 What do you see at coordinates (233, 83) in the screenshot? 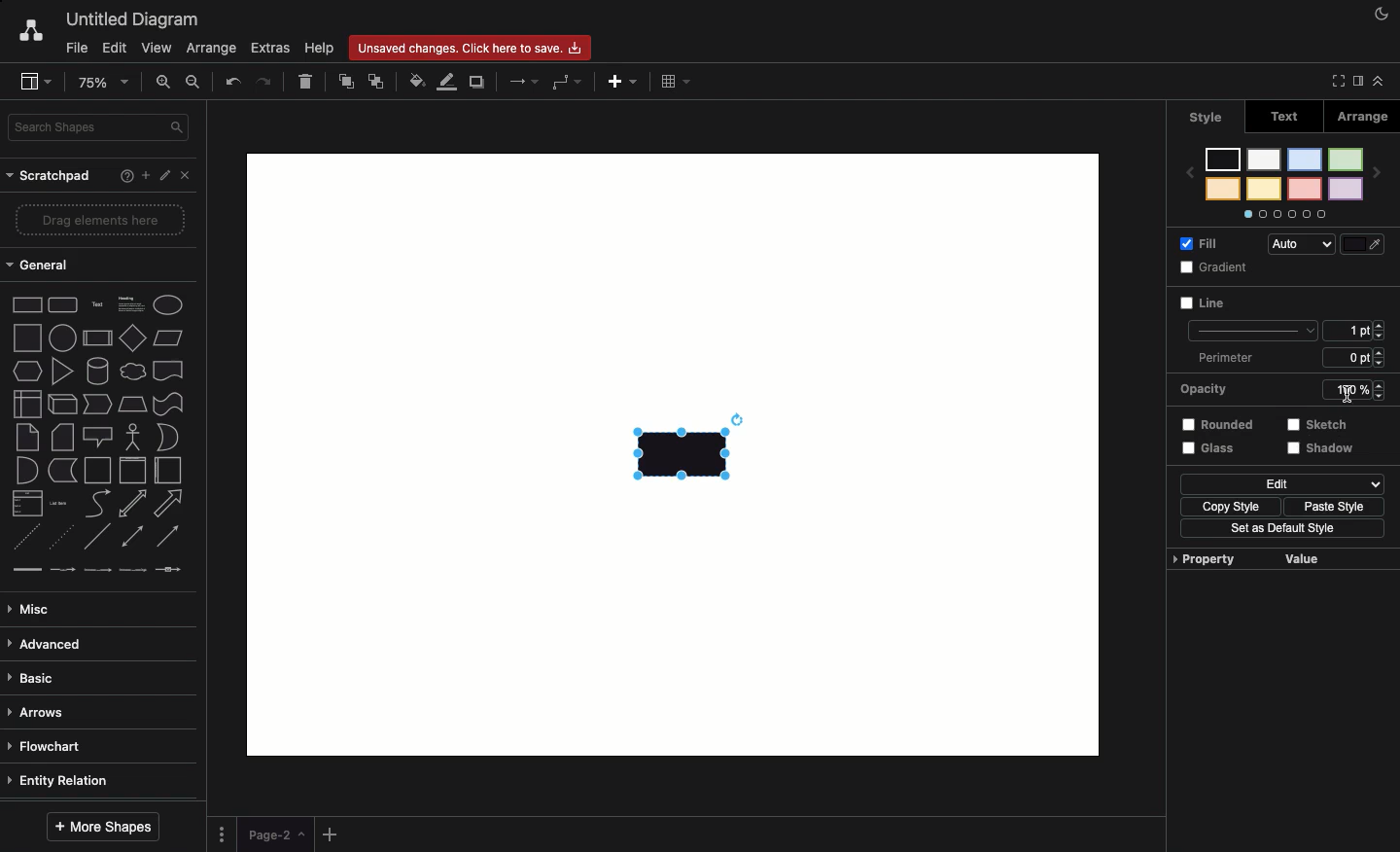
I see `Undo` at bounding box center [233, 83].